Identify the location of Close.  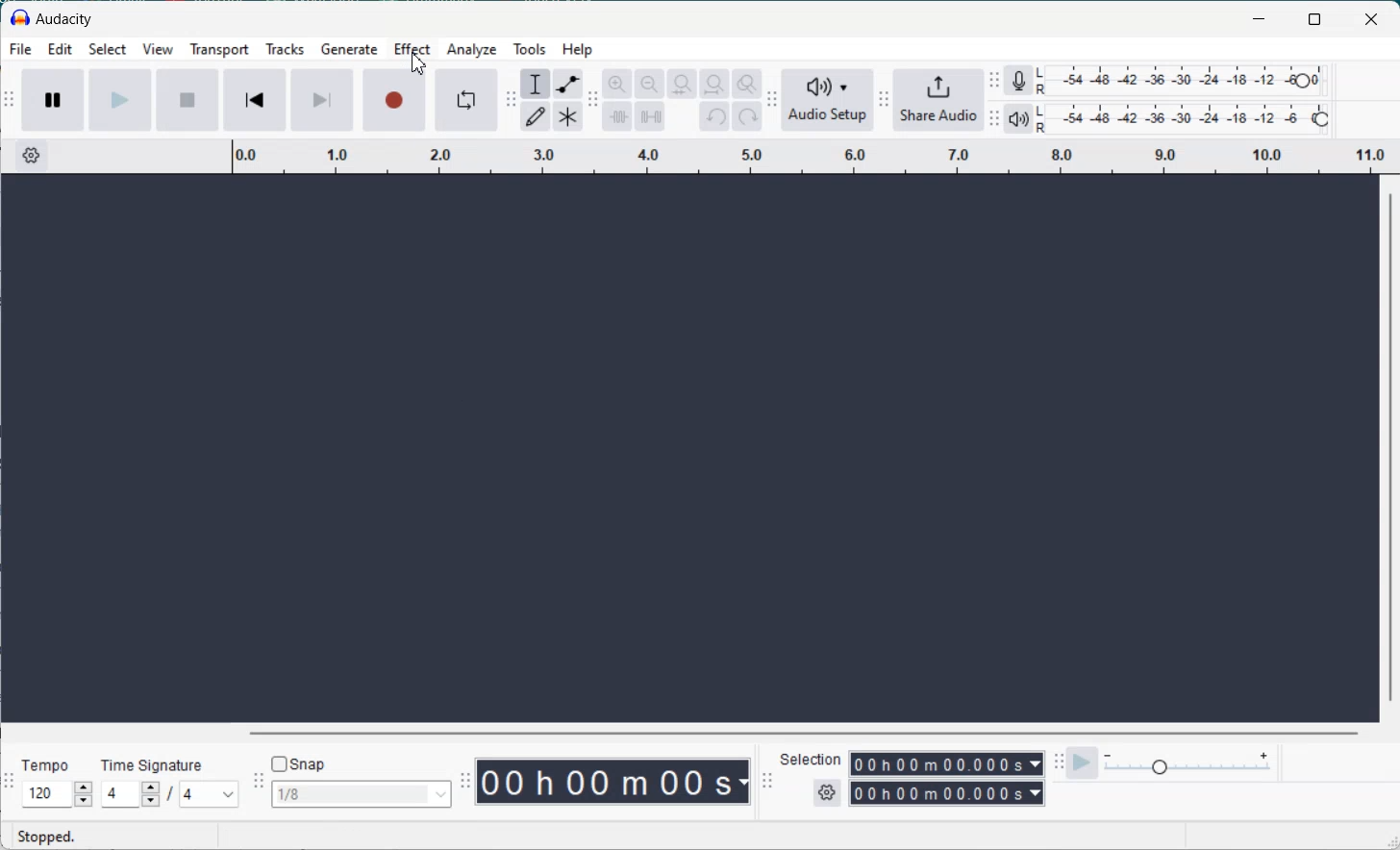
(1373, 18).